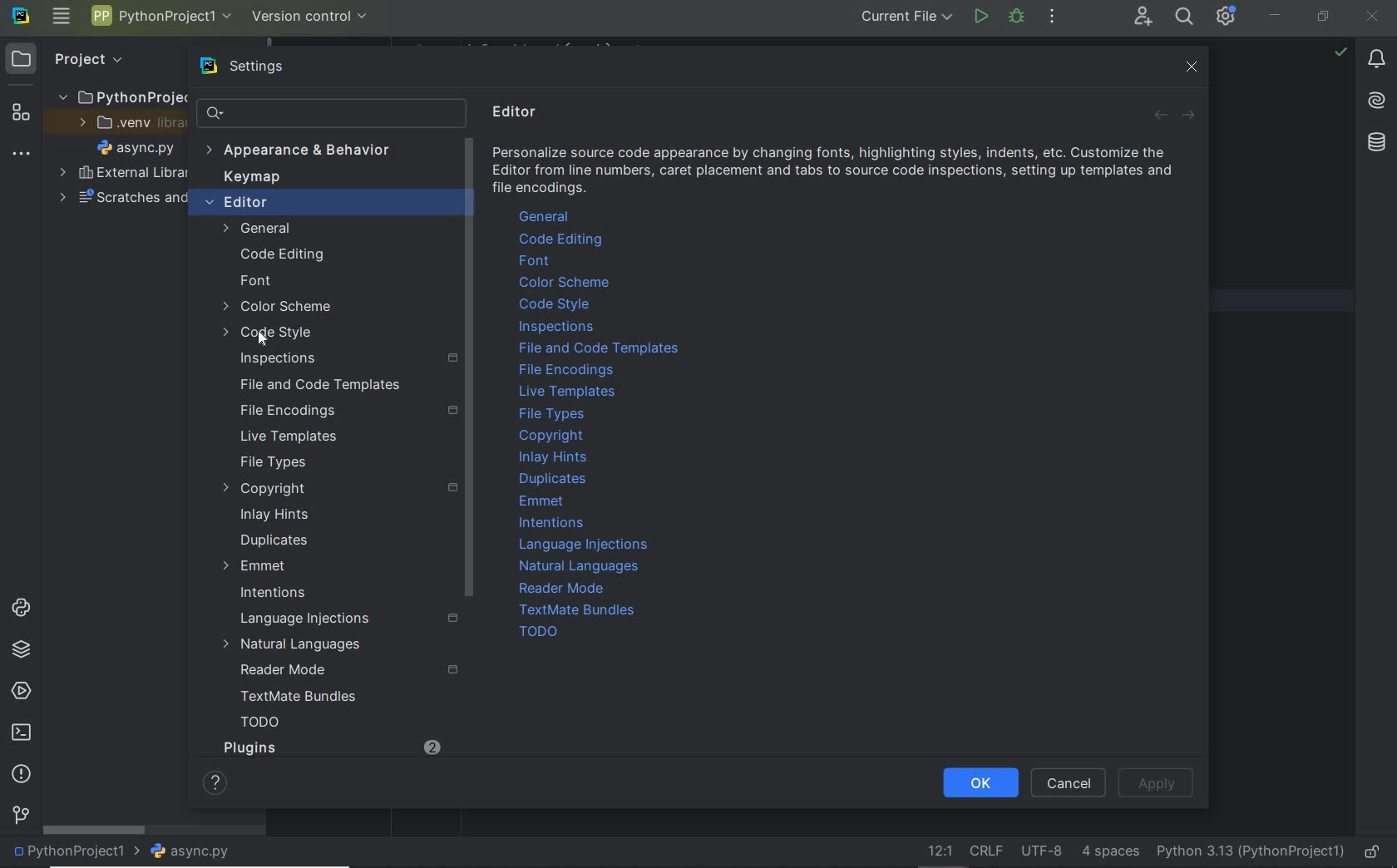  Describe the element at coordinates (274, 515) in the screenshot. I see `Inlay Hints` at that location.